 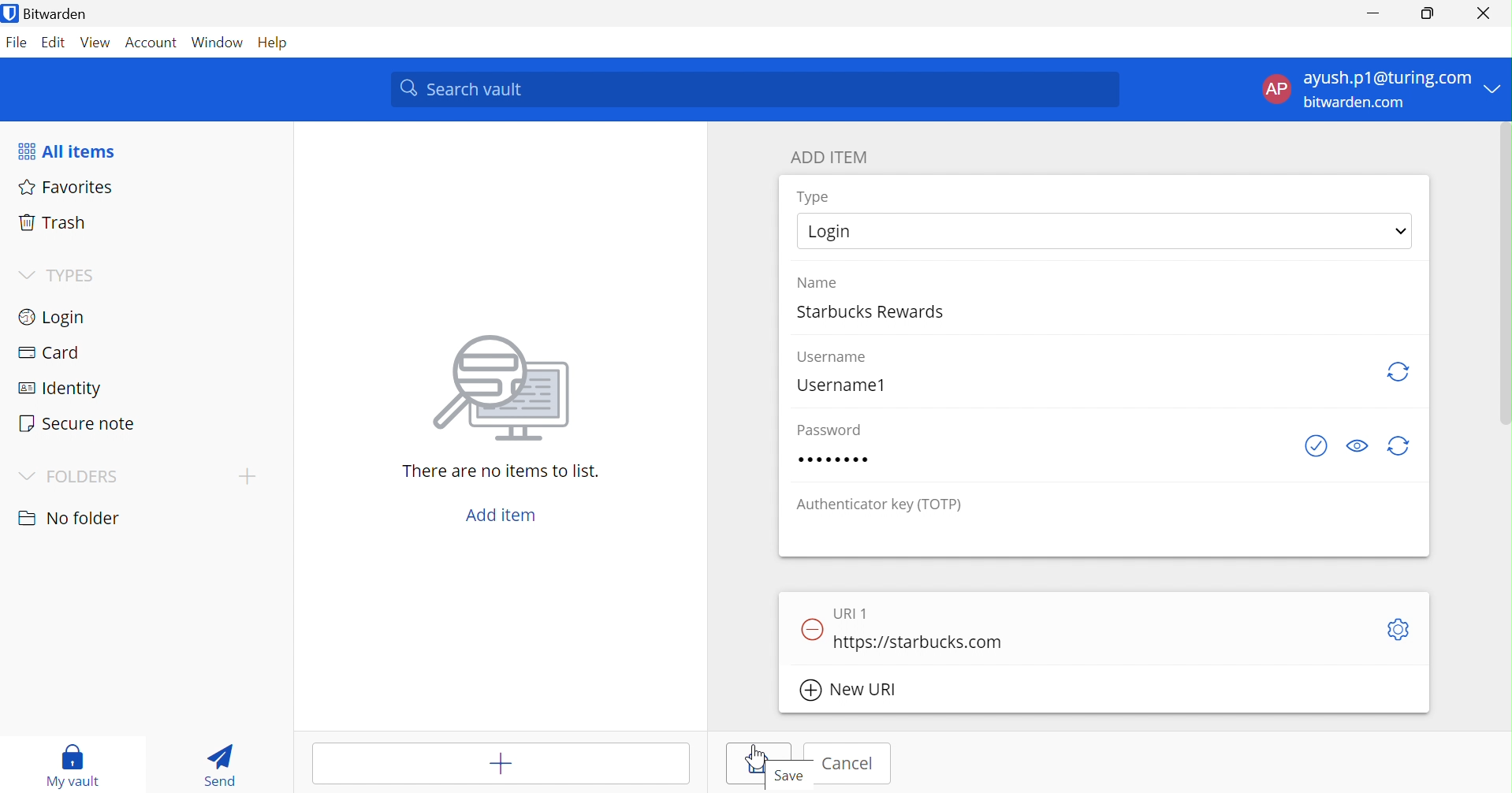 I want to click on Close, so click(x=1486, y=13).